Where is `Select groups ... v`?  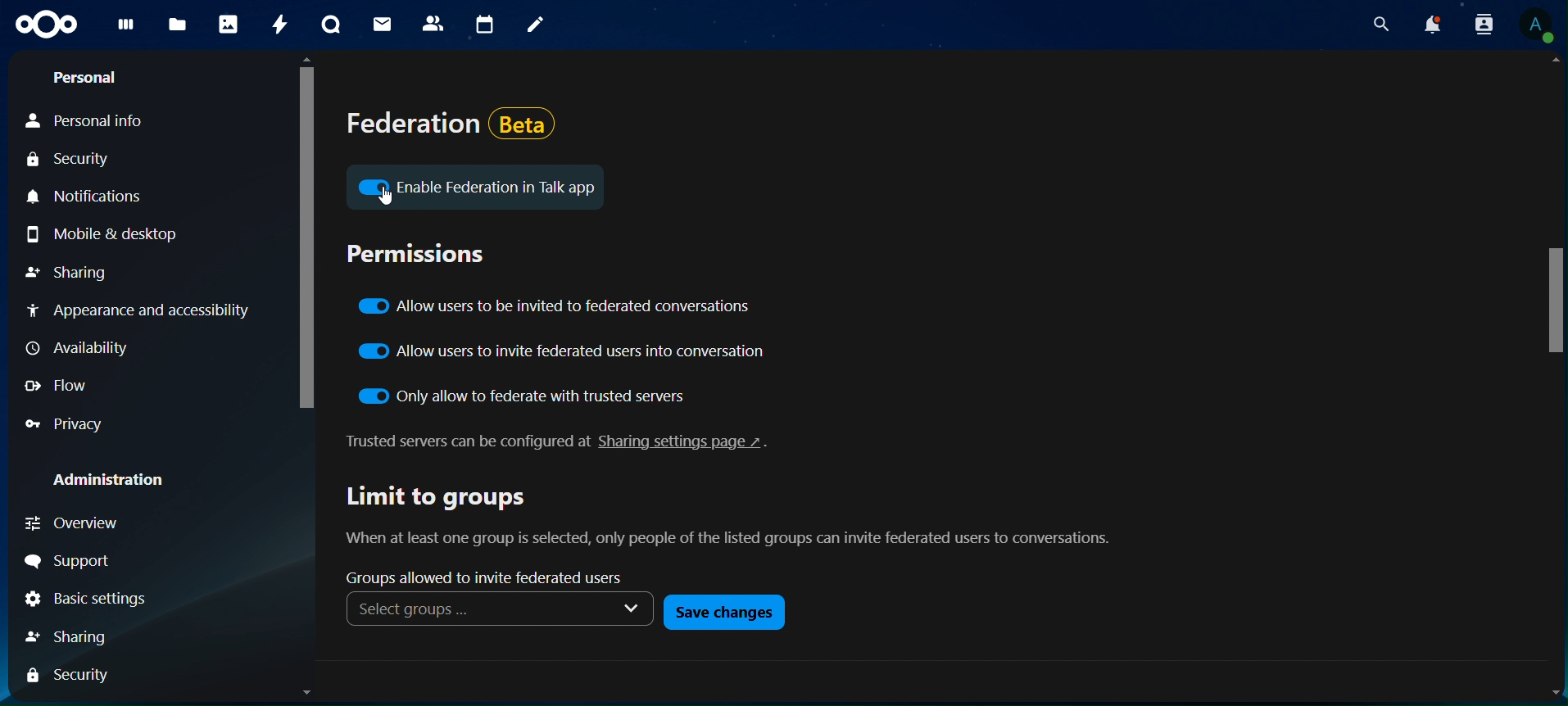
Select groups ... v is located at coordinates (499, 609).